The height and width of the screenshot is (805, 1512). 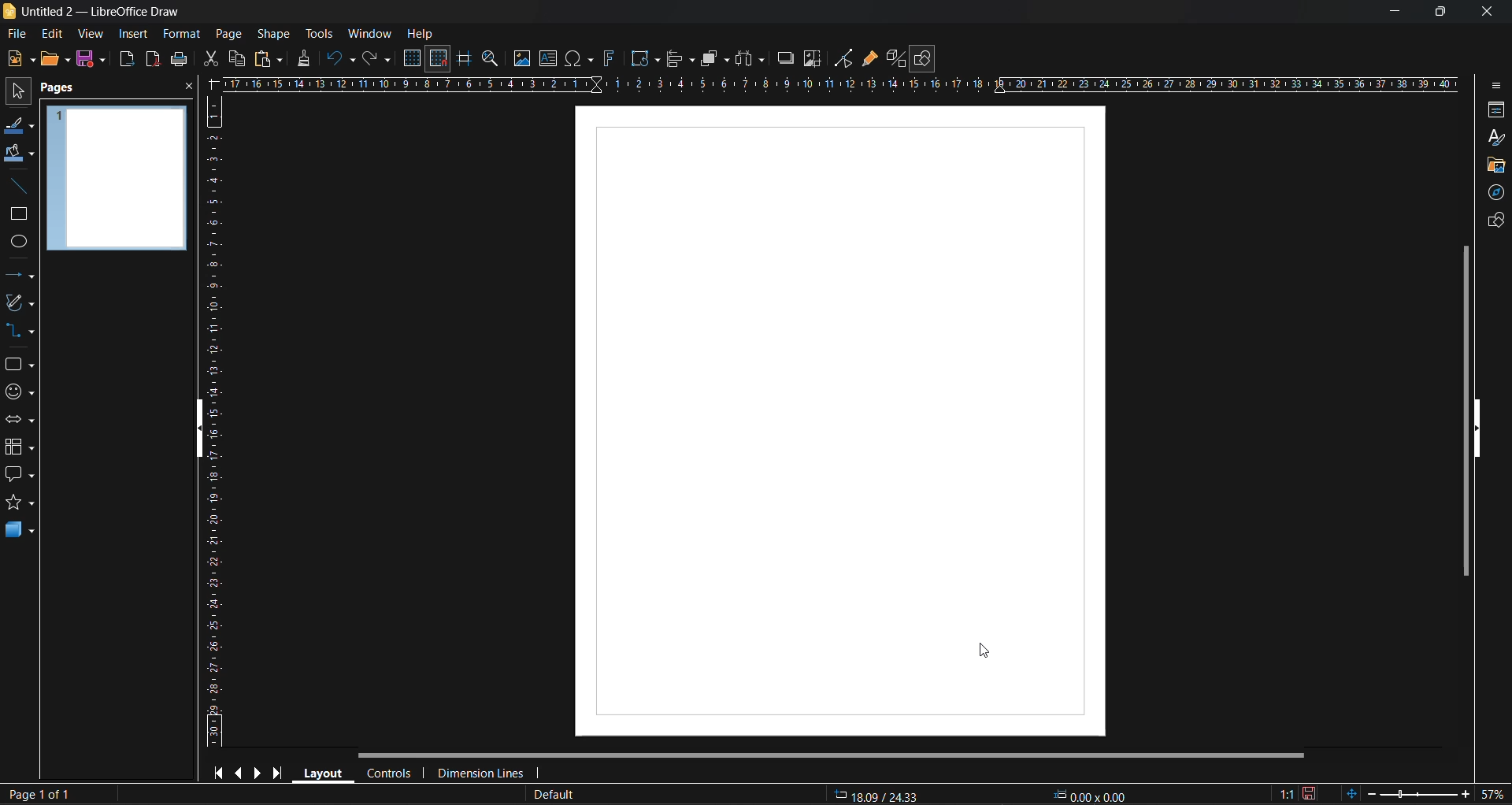 I want to click on paste, so click(x=267, y=60).